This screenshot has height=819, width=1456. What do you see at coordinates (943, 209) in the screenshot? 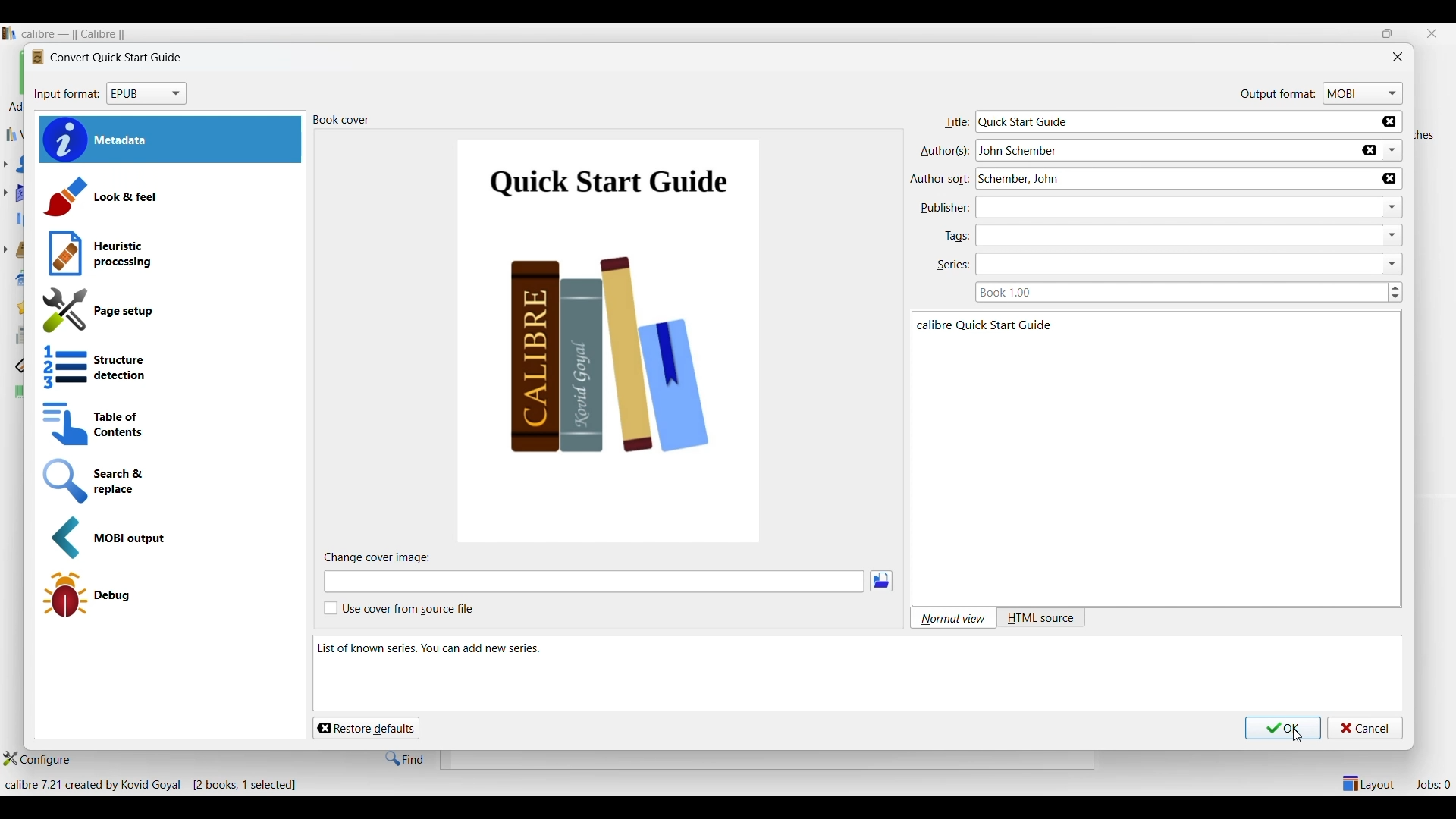
I see `publisher` at bounding box center [943, 209].